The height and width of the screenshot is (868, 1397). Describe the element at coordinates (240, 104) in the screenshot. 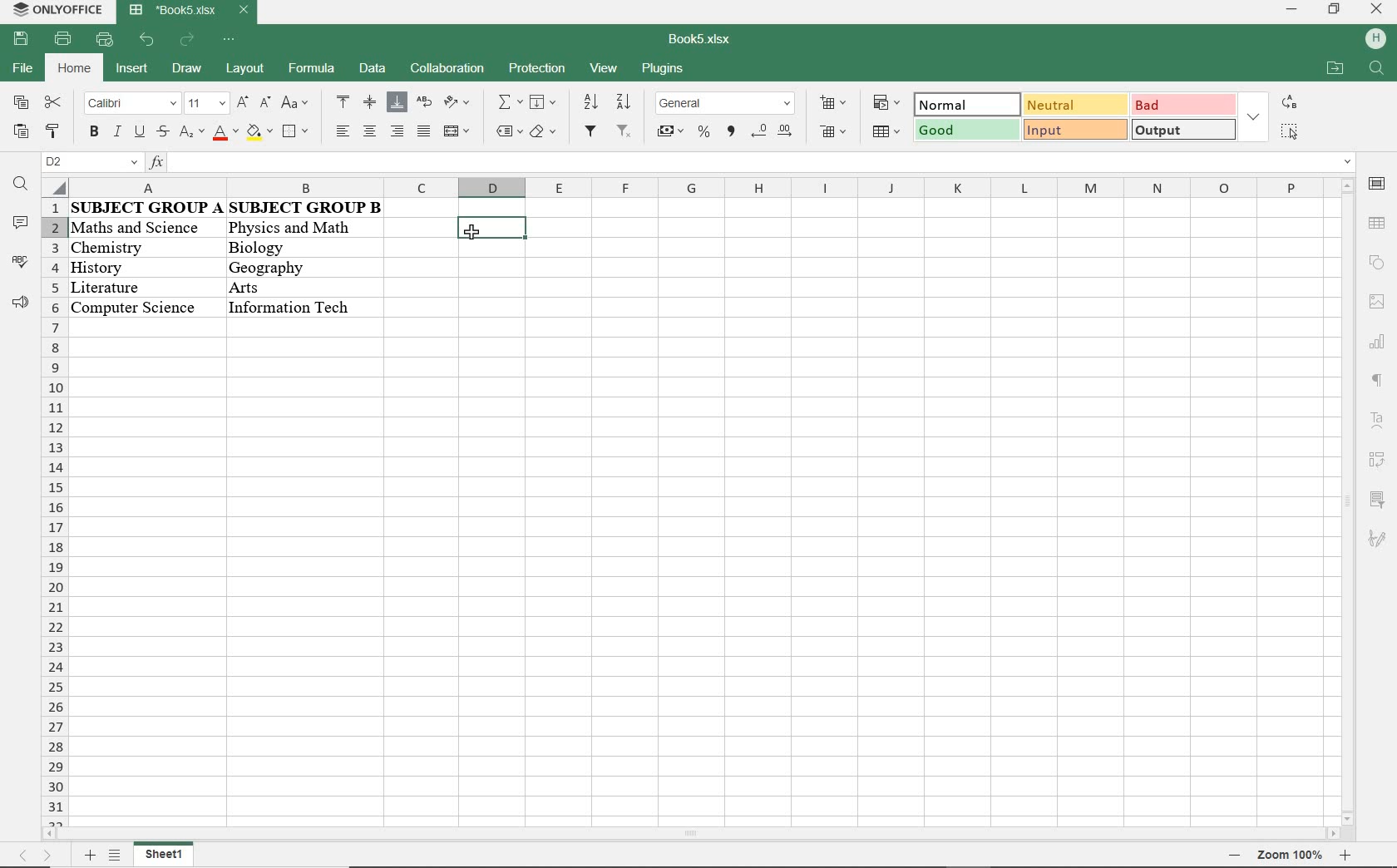

I see `increment font size` at that location.